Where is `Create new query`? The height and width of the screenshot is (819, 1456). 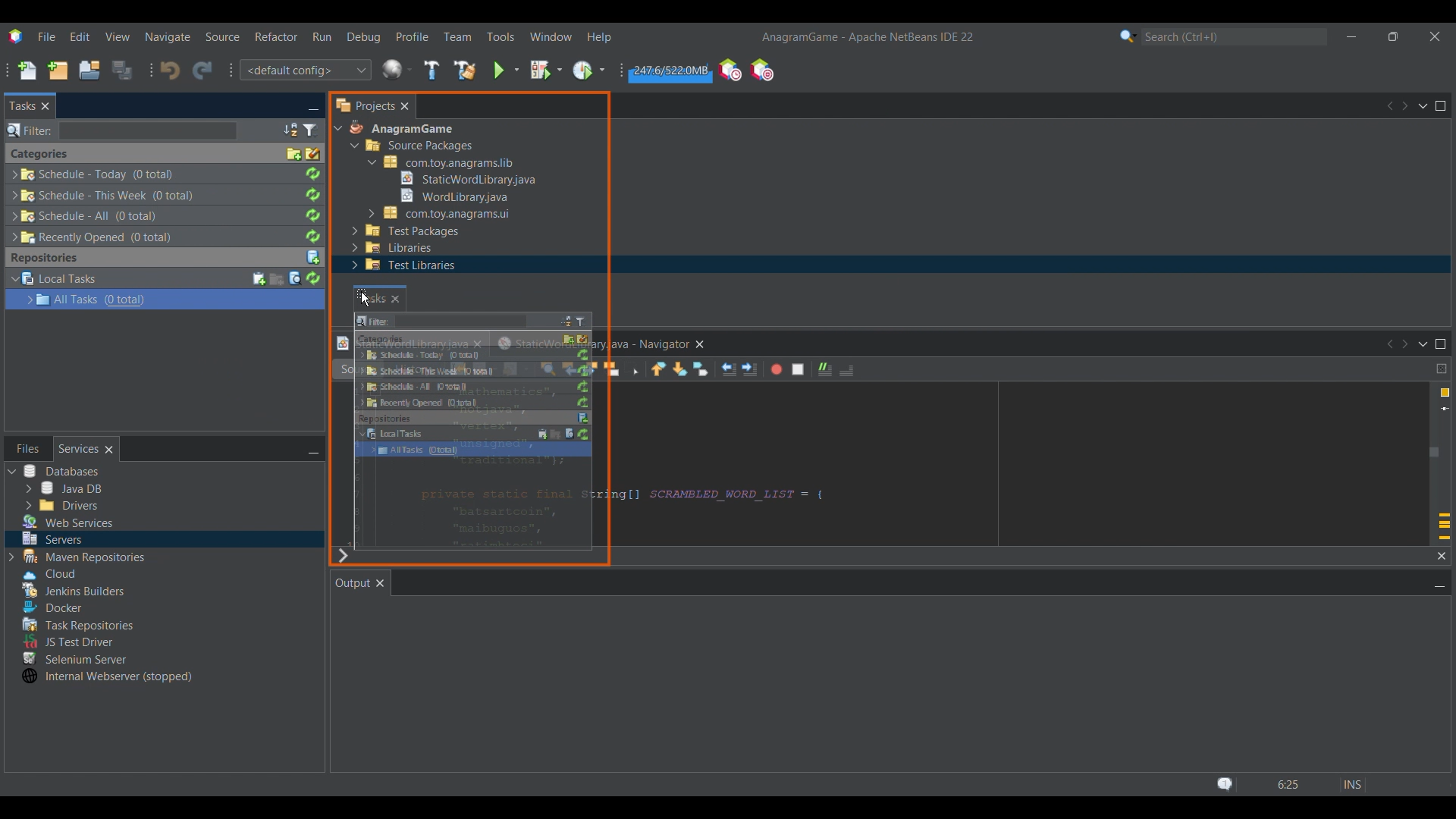
Create new query is located at coordinates (277, 279).